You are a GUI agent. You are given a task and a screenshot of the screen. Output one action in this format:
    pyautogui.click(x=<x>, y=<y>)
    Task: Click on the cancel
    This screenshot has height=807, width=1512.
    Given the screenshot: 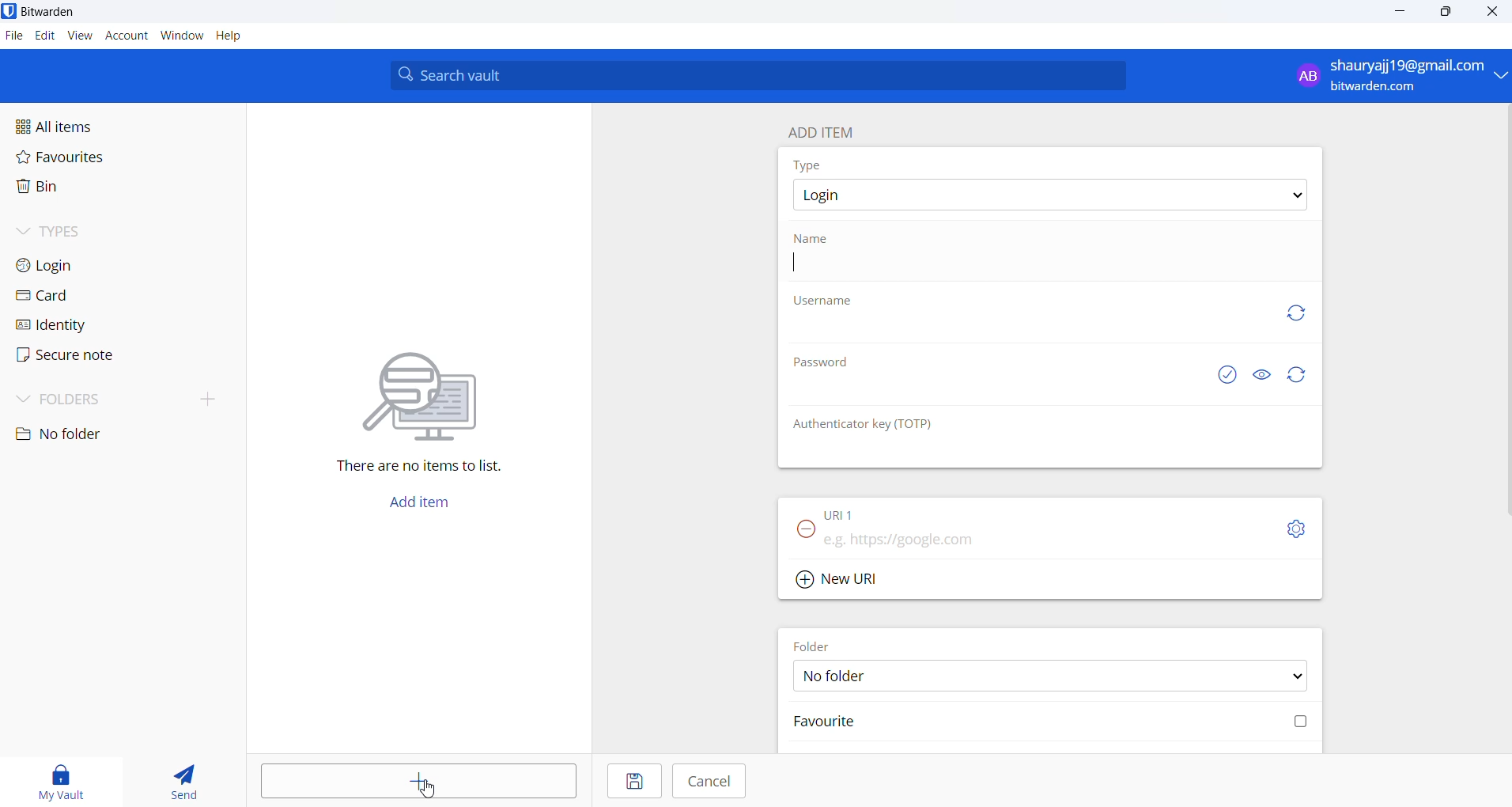 What is the action you would take?
    pyautogui.click(x=709, y=781)
    